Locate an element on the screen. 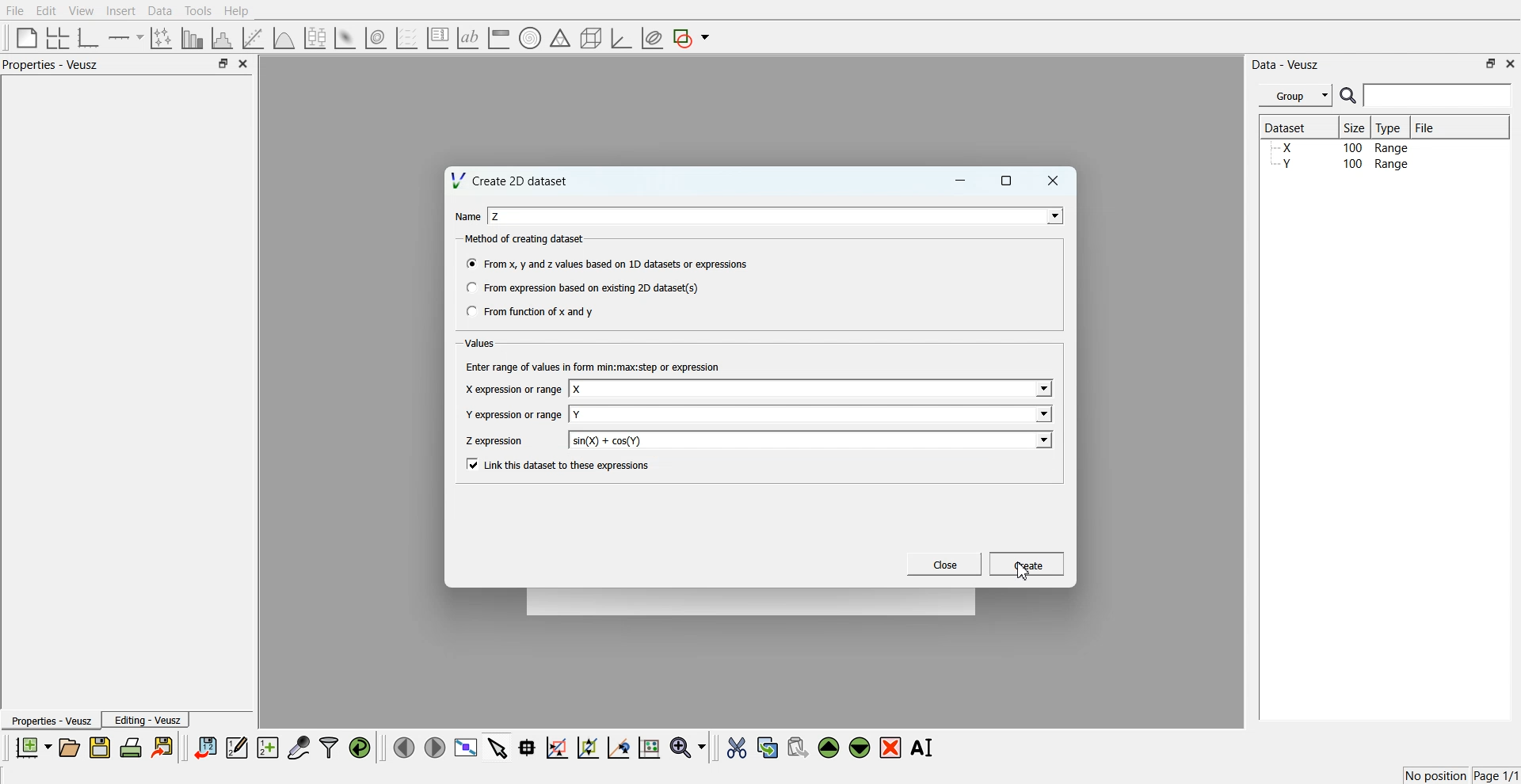 Image resolution: width=1521 pixels, height=784 pixels. Plot a vector field is located at coordinates (406, 39).